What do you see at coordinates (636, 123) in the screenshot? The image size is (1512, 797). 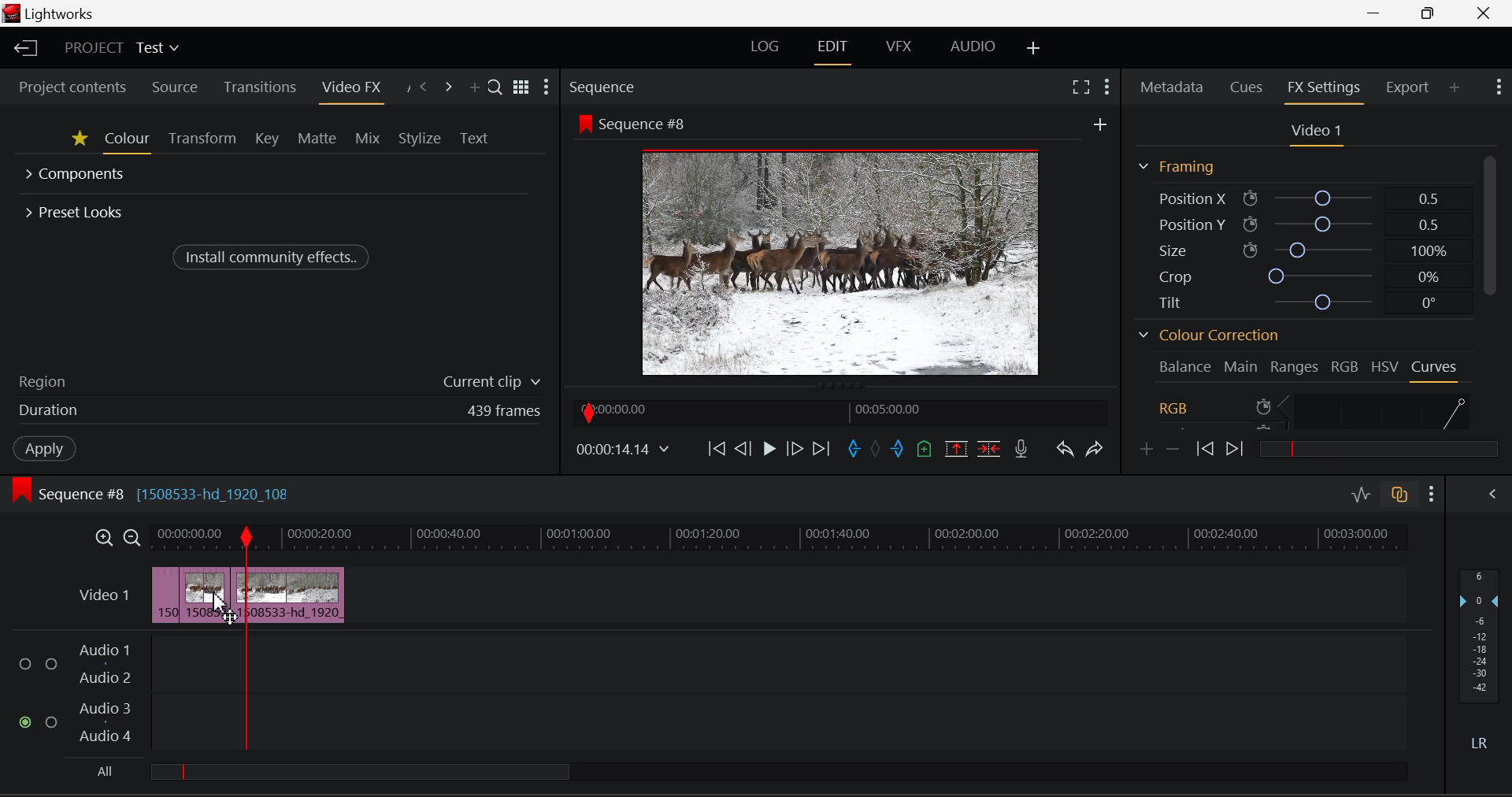 I see `Sequence #8` at bounding box center [636, 123].